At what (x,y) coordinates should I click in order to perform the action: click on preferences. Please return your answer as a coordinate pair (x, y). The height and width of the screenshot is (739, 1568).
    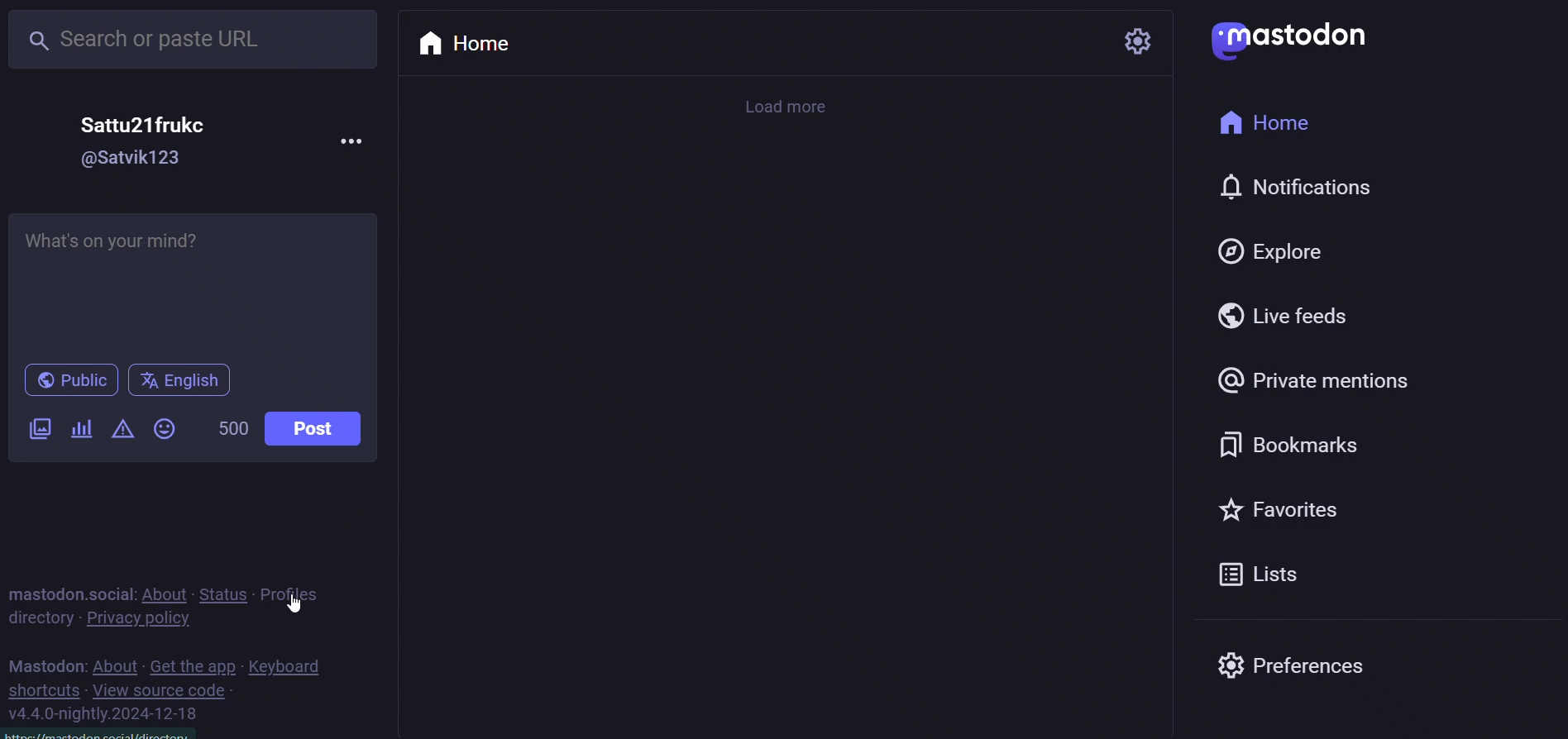
    Looking at the image, I should click on (1298, 665).